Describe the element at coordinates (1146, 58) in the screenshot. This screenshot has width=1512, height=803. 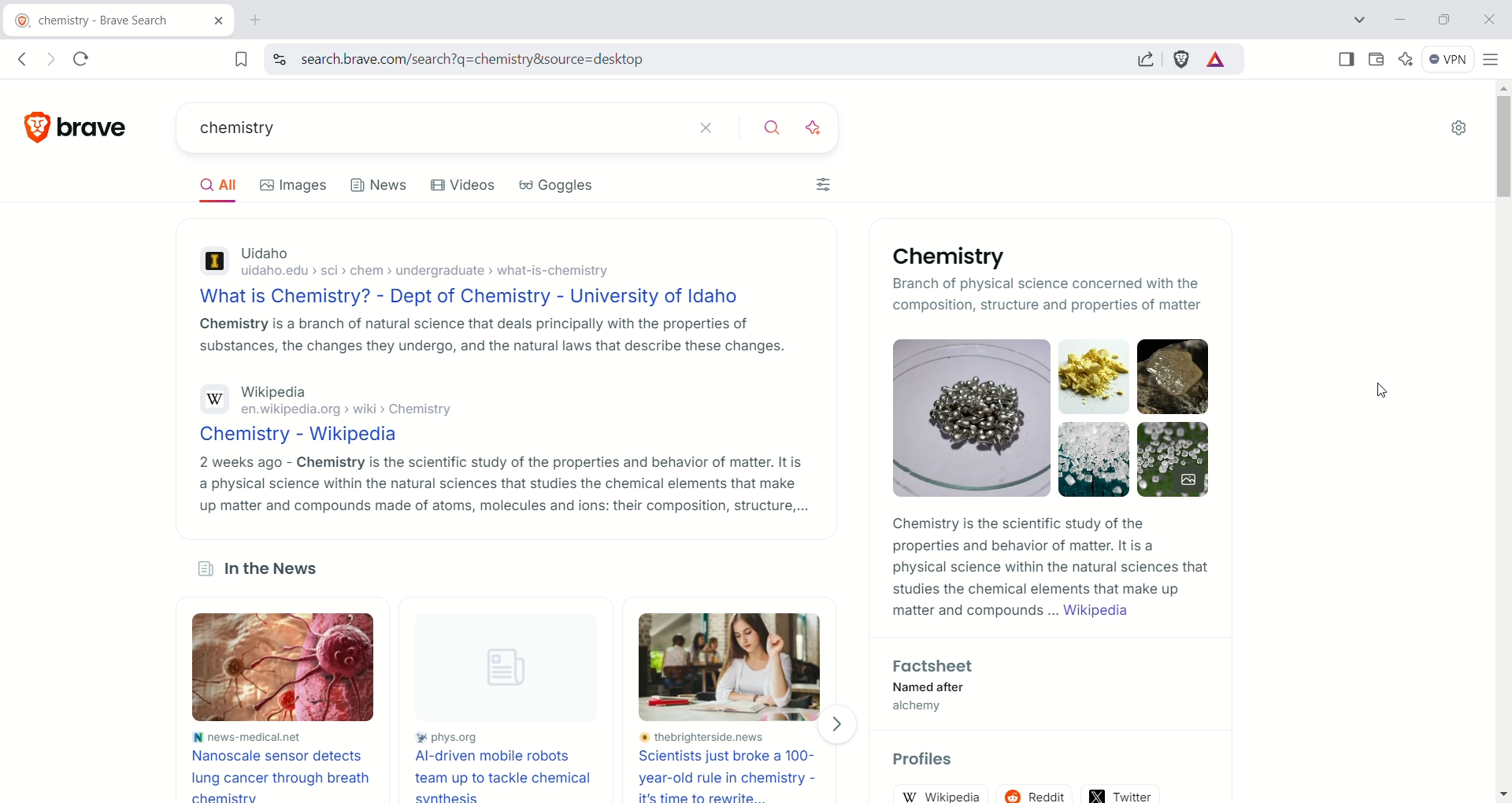
I see `share this page` at that location.